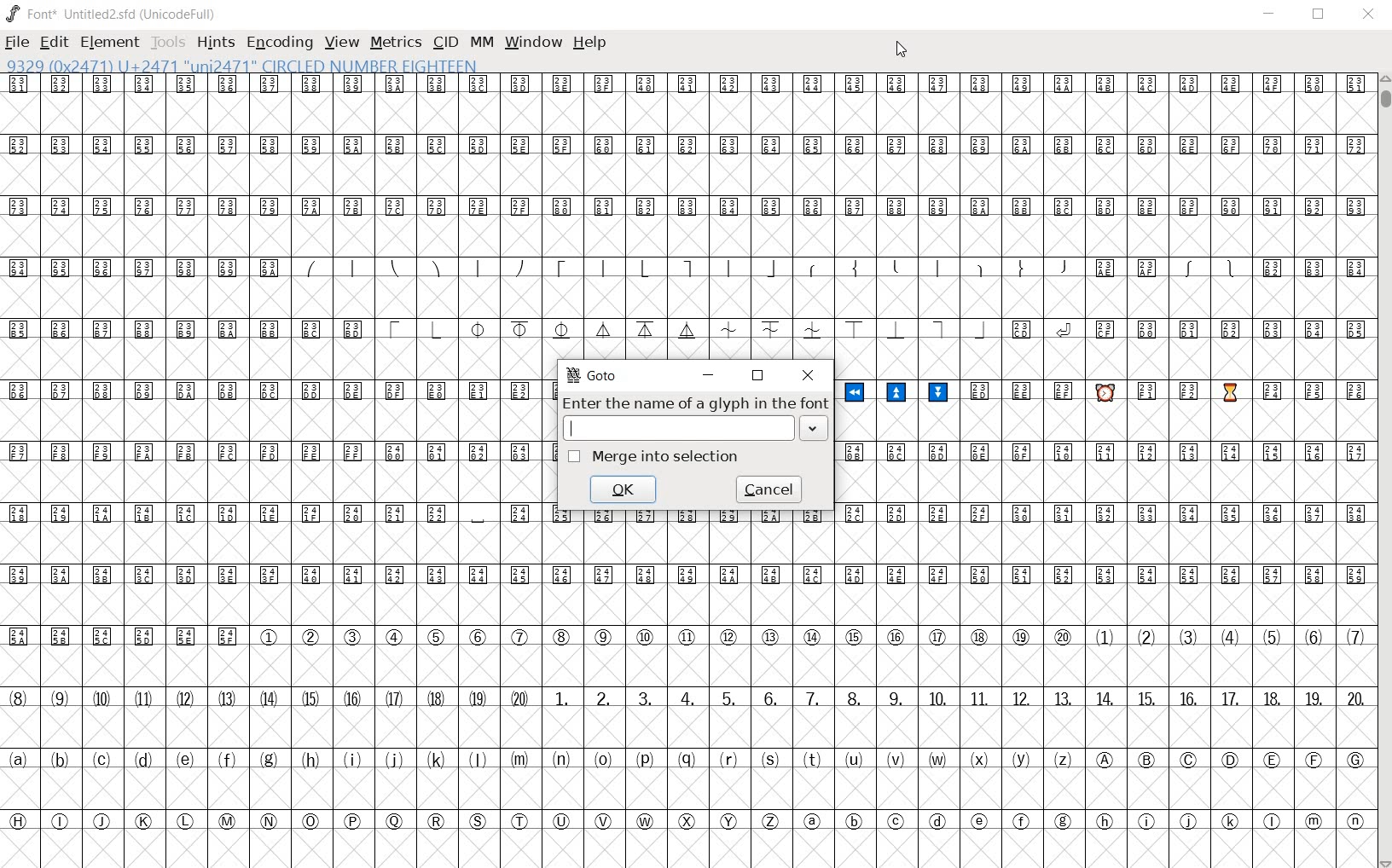 Image resolution: width=1392 pixels, height=868 pixels. I want to click on Merge into selection, so click(654, 457).